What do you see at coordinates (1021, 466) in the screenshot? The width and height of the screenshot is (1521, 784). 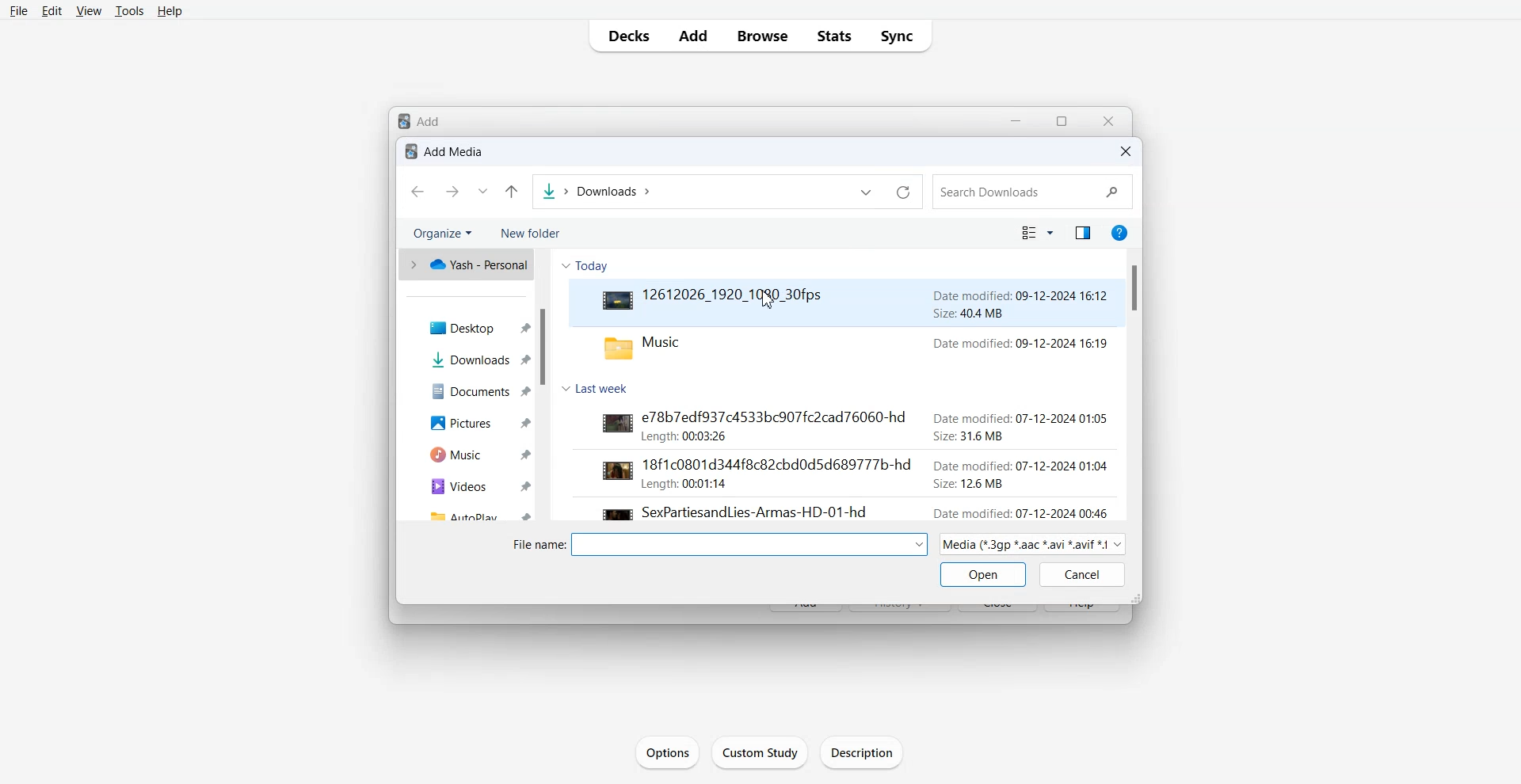 I see `date modified` at bounding box center [1021, 466].